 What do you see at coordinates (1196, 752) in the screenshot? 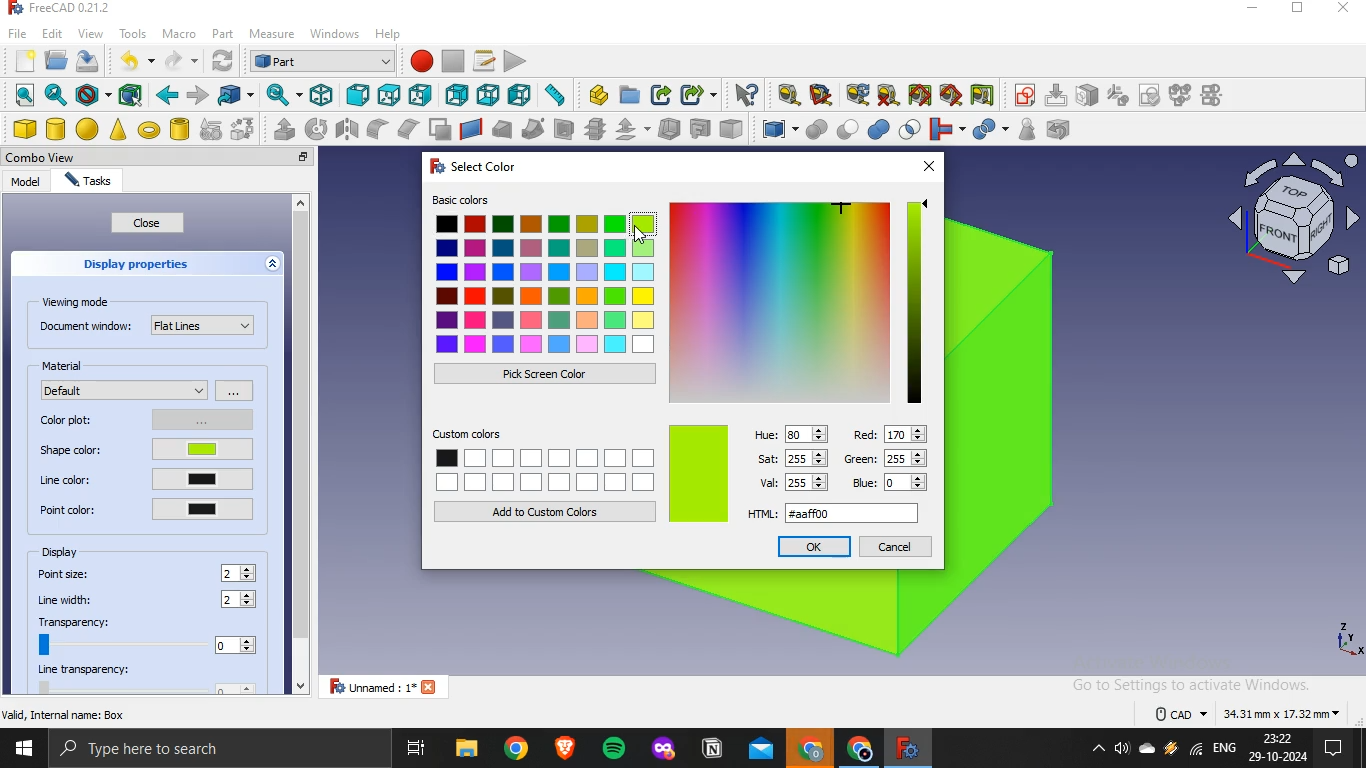
I see `wifi` at bounding box center [1196, 752].